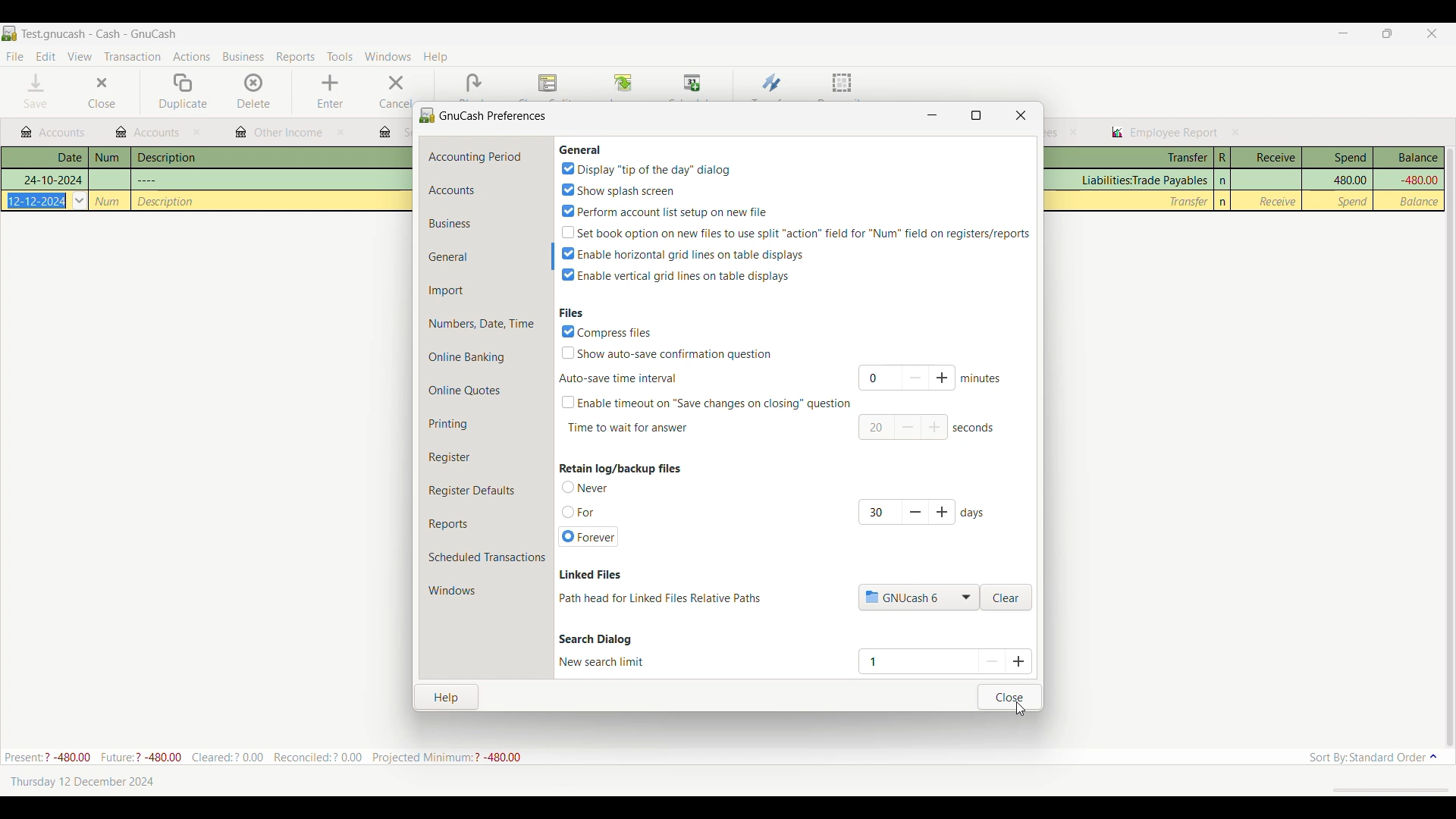 The width and height of the screenshot is (1456, 819). Describe the element at coordinates (1223, 202) in the screenshot. I see `n` at that location.